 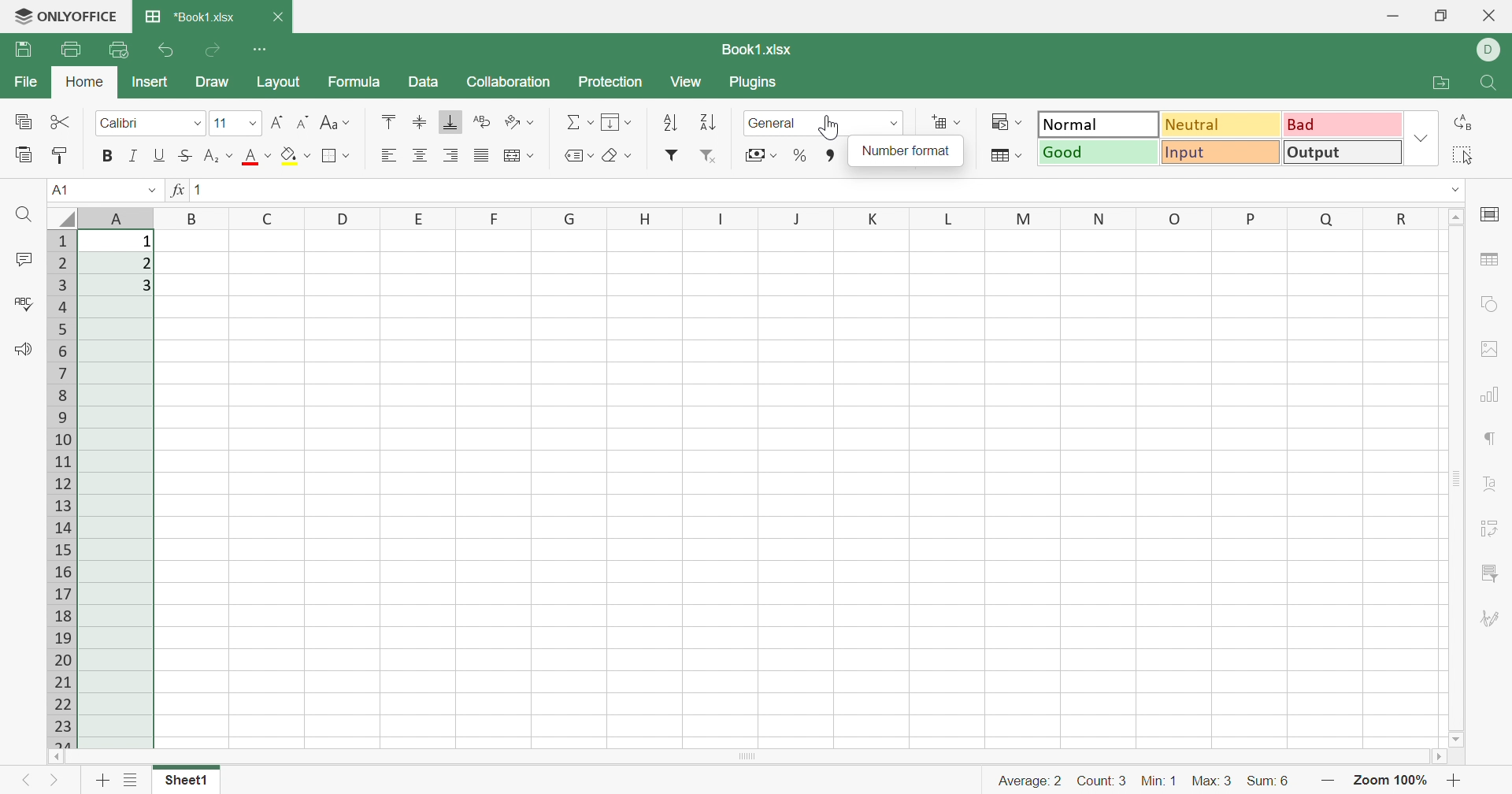 I want to click on Wrap text, so click(x=516, y=156).